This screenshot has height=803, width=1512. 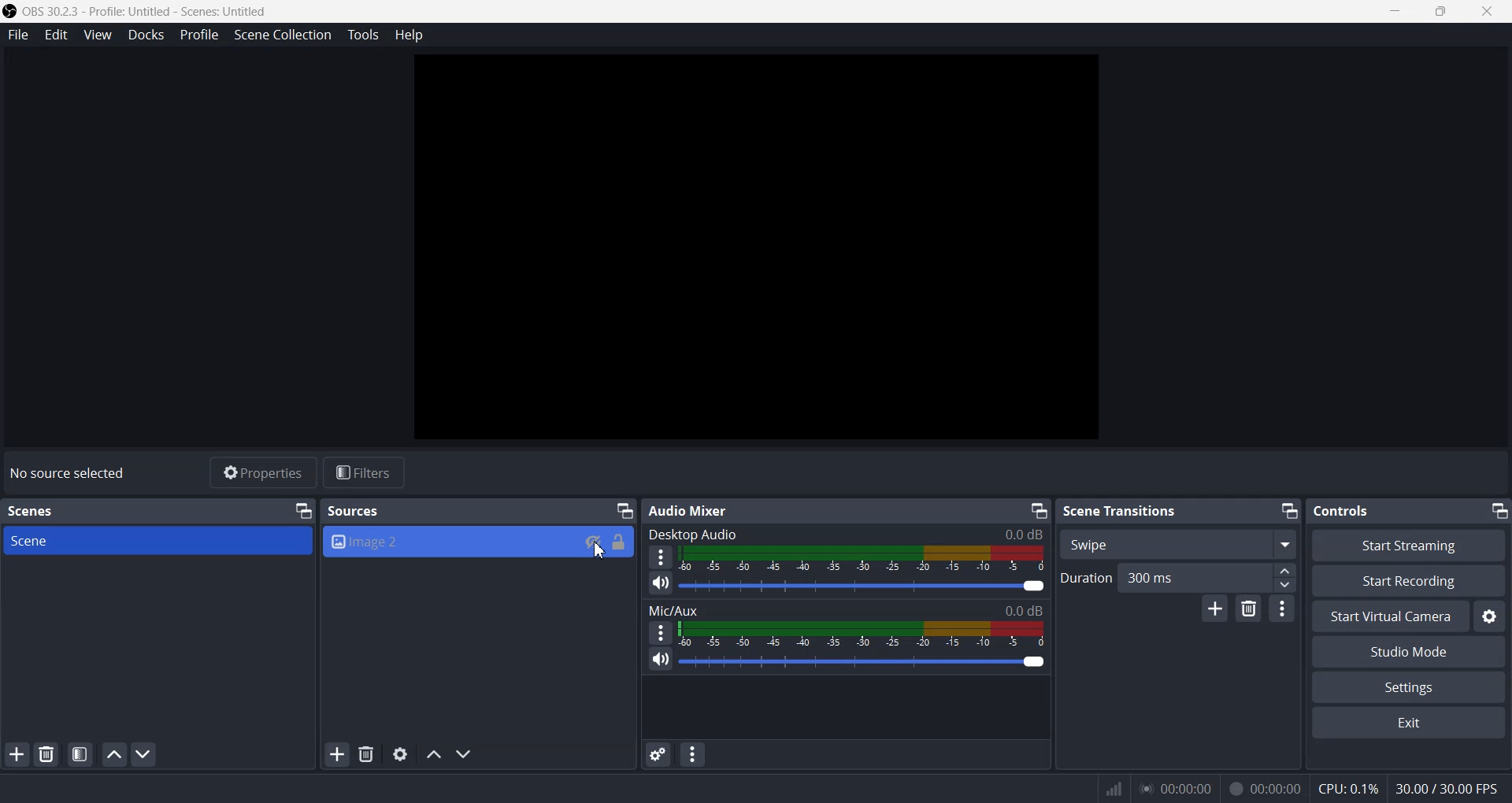 I want to click on Exit, so click(x=1410, y=724).